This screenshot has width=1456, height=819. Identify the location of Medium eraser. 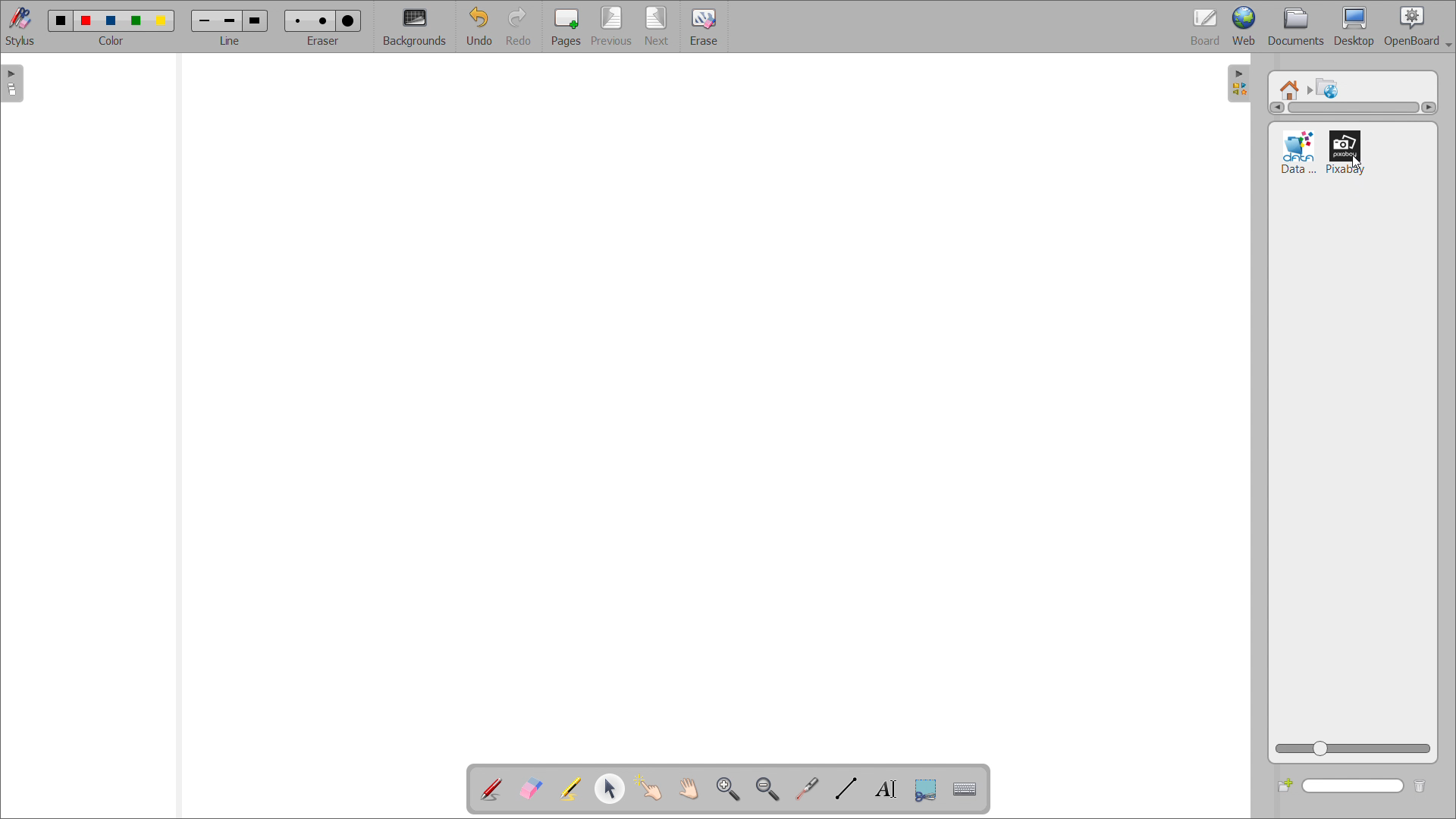
(322, 19).